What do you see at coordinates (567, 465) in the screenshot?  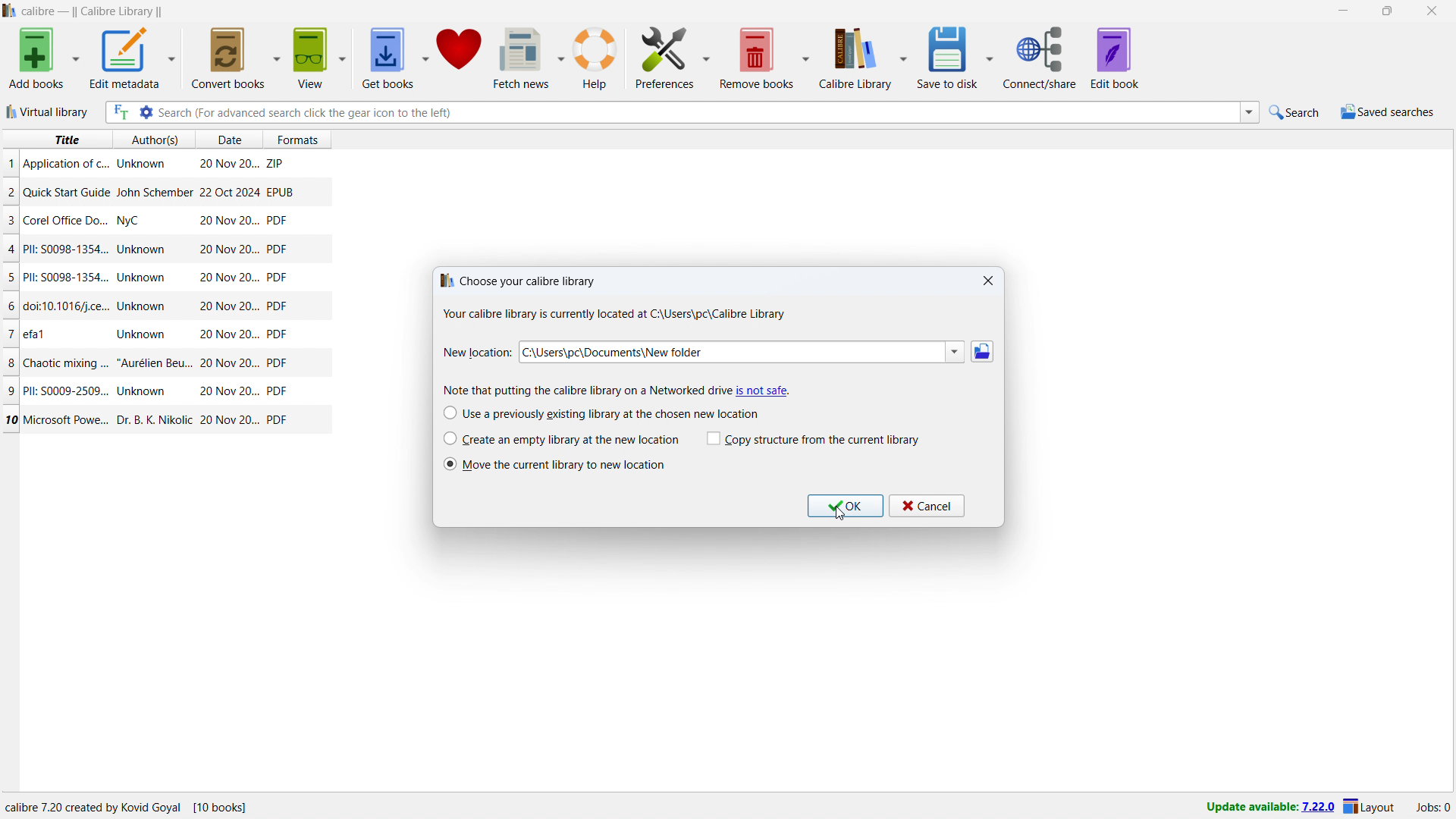 I see `move the current library to the new location` at bounding box center [567, 465].